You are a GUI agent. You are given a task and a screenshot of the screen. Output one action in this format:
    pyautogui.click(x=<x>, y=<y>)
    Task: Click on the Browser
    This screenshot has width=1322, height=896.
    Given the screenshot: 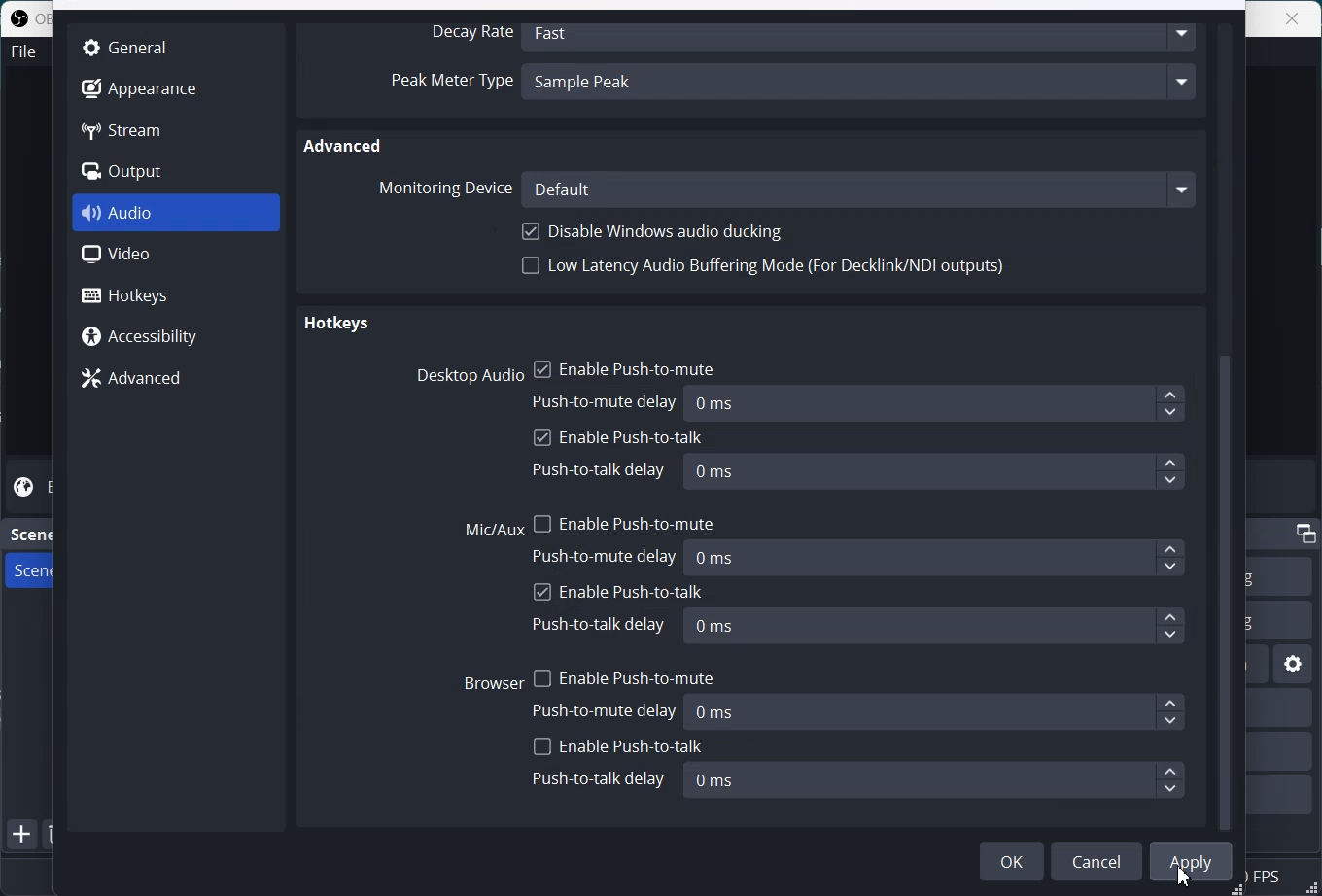 What is the action you would take?
    pyautogui.click(x=494, y=681)
    